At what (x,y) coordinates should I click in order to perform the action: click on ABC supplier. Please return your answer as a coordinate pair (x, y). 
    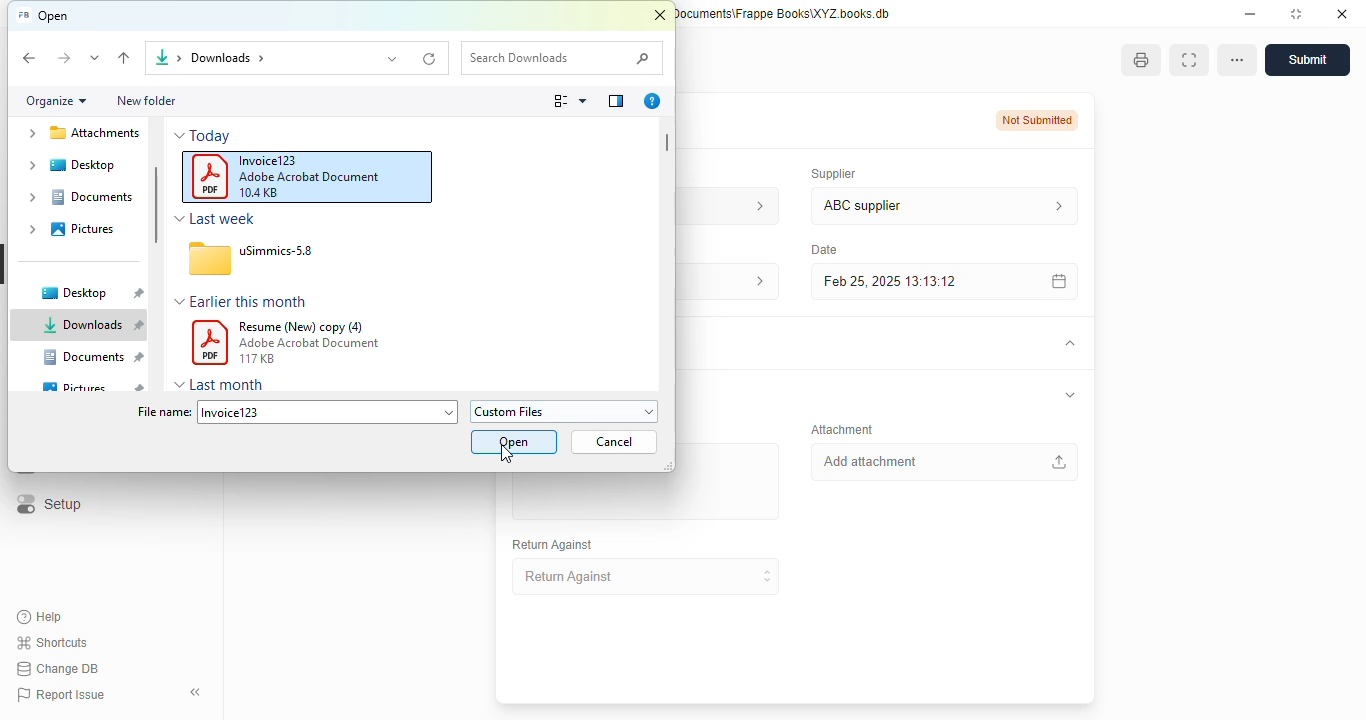
    Looking at the image, I should click on (906, 206).